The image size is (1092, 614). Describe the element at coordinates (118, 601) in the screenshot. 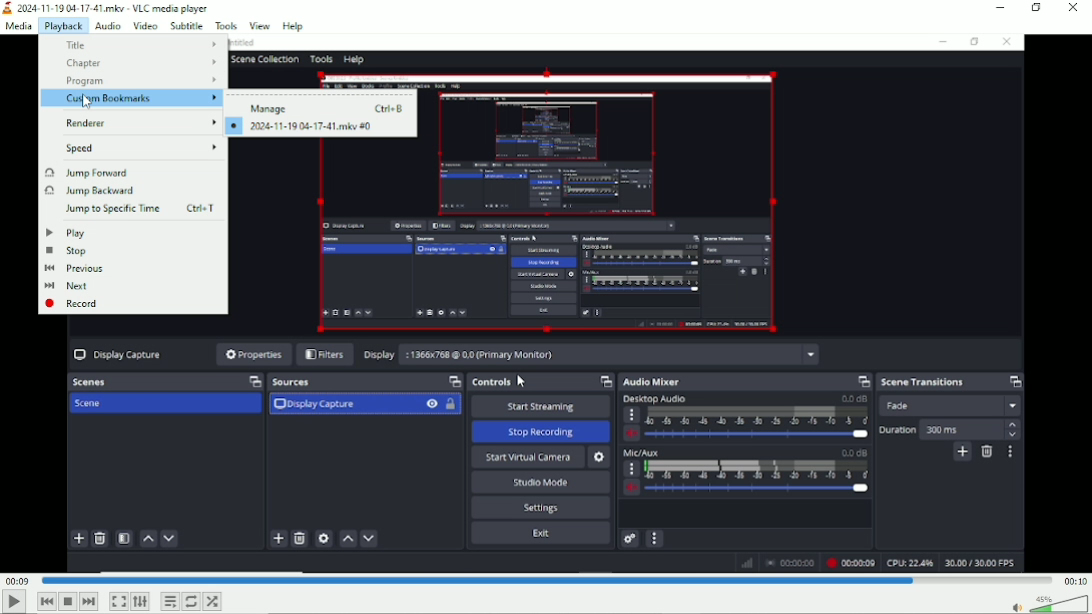

I see `Toggle video in fullscreen` at that location.